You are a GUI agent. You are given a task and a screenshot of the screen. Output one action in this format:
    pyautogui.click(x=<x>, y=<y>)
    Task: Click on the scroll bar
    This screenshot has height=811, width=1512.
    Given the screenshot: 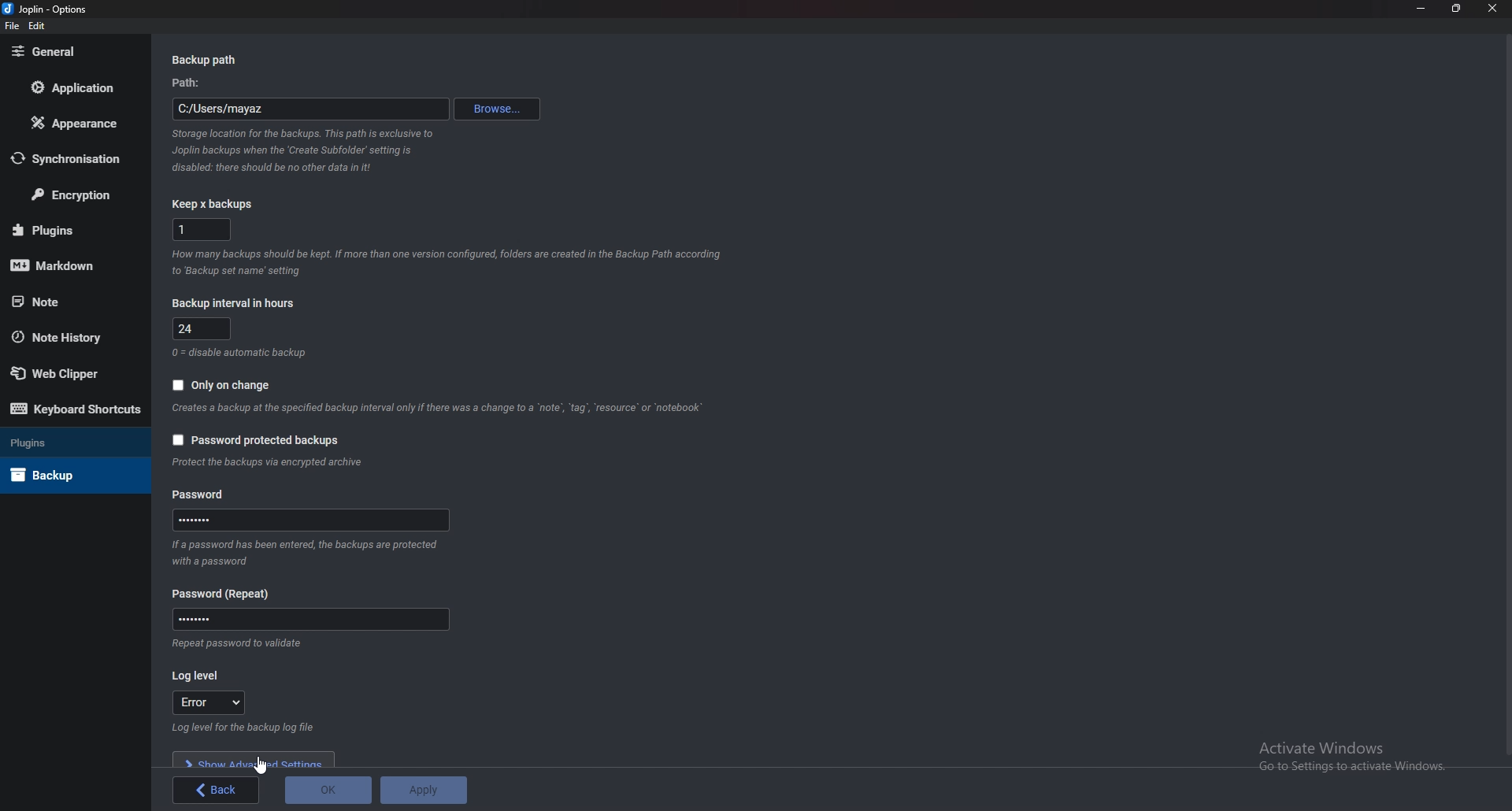 What is the action you would take?
    pyautogui.click(x=1505, y=394)
    